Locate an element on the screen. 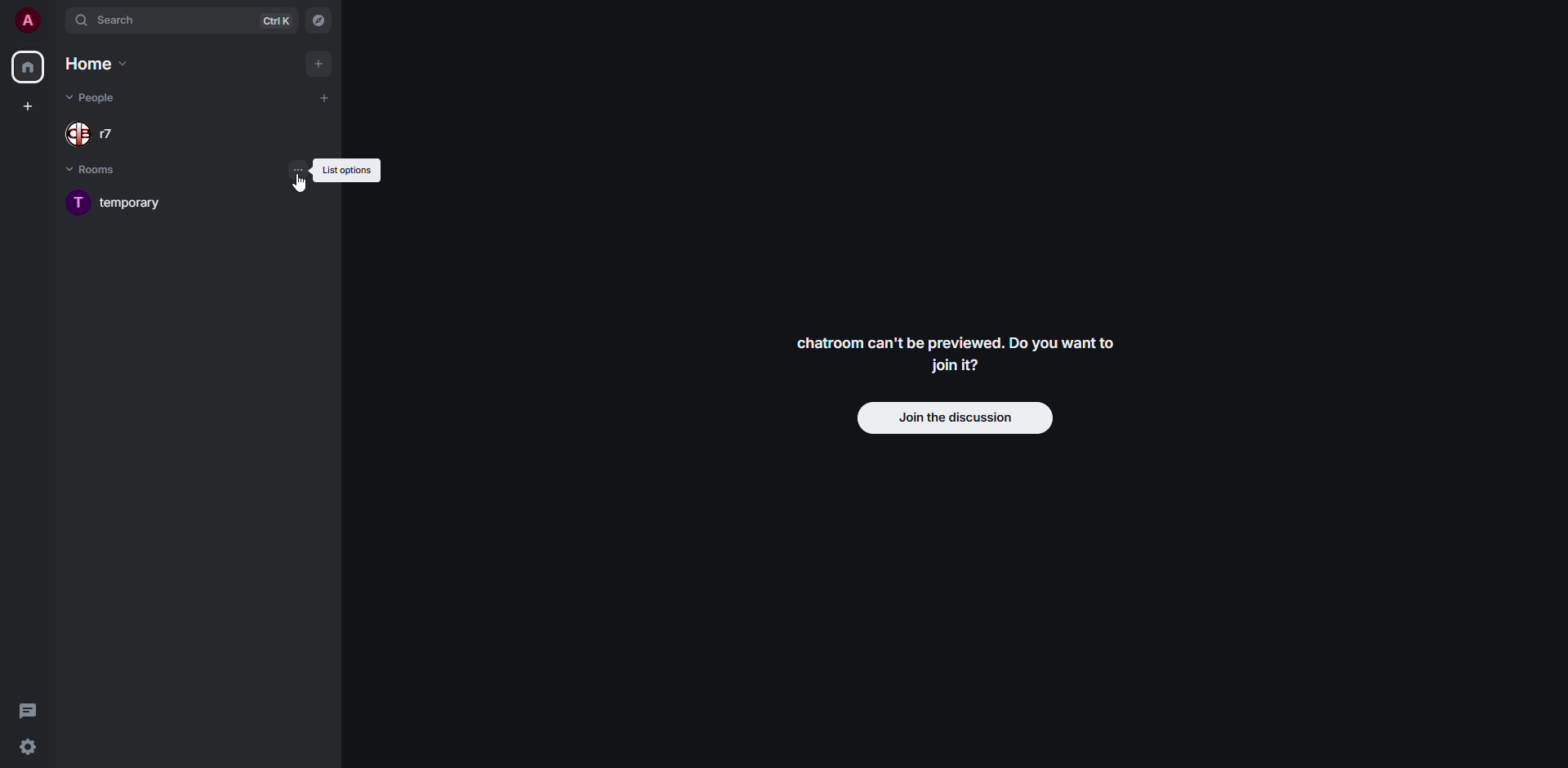 This screenshot has height=768, width=1568. ctrl K is located at coordinates (276, 20).